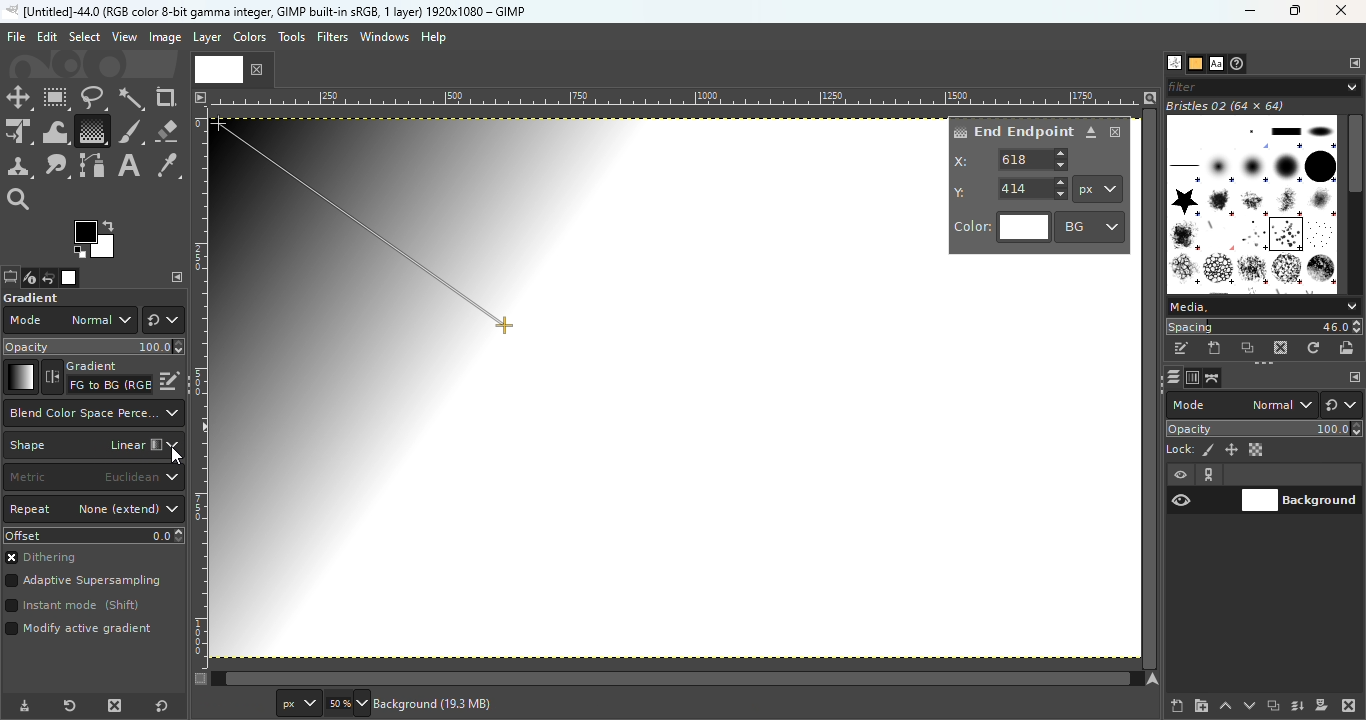  What do you see at coordinates (1252, 197) in the screenshot?
I see `Image Box` at bounding box center [1252, 197].